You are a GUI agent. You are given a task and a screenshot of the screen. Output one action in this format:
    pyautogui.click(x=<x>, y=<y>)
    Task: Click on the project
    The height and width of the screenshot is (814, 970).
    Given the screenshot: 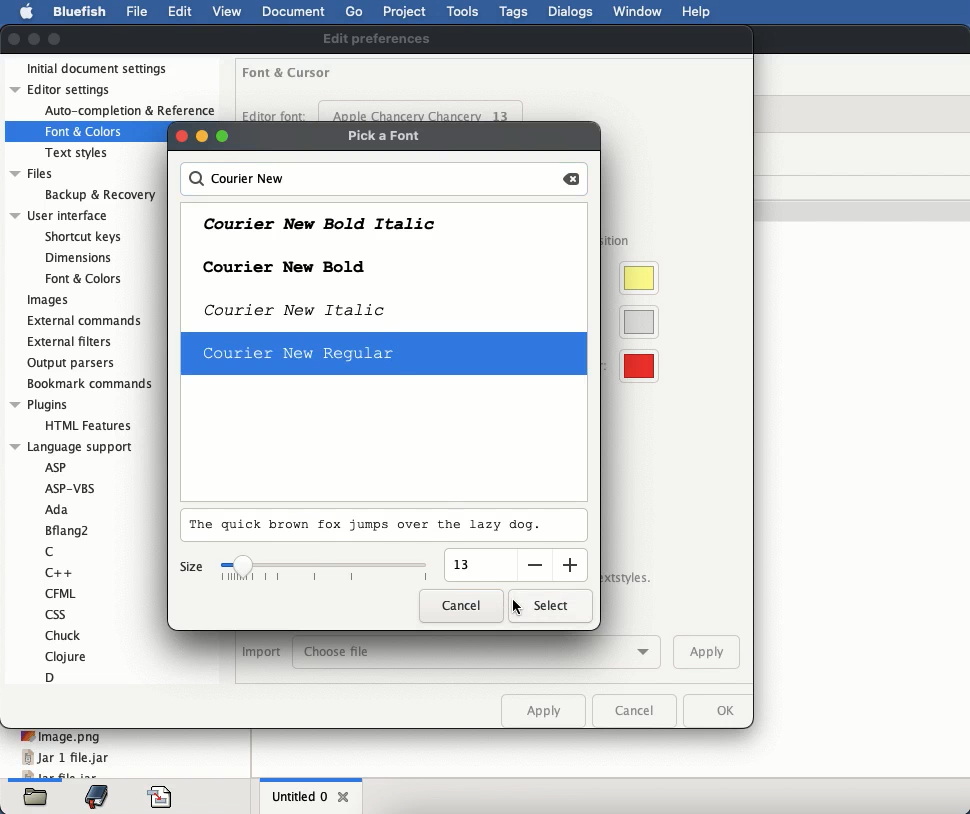 What is the action you would take?
    pyautogui.click(x=407, y=12)
    